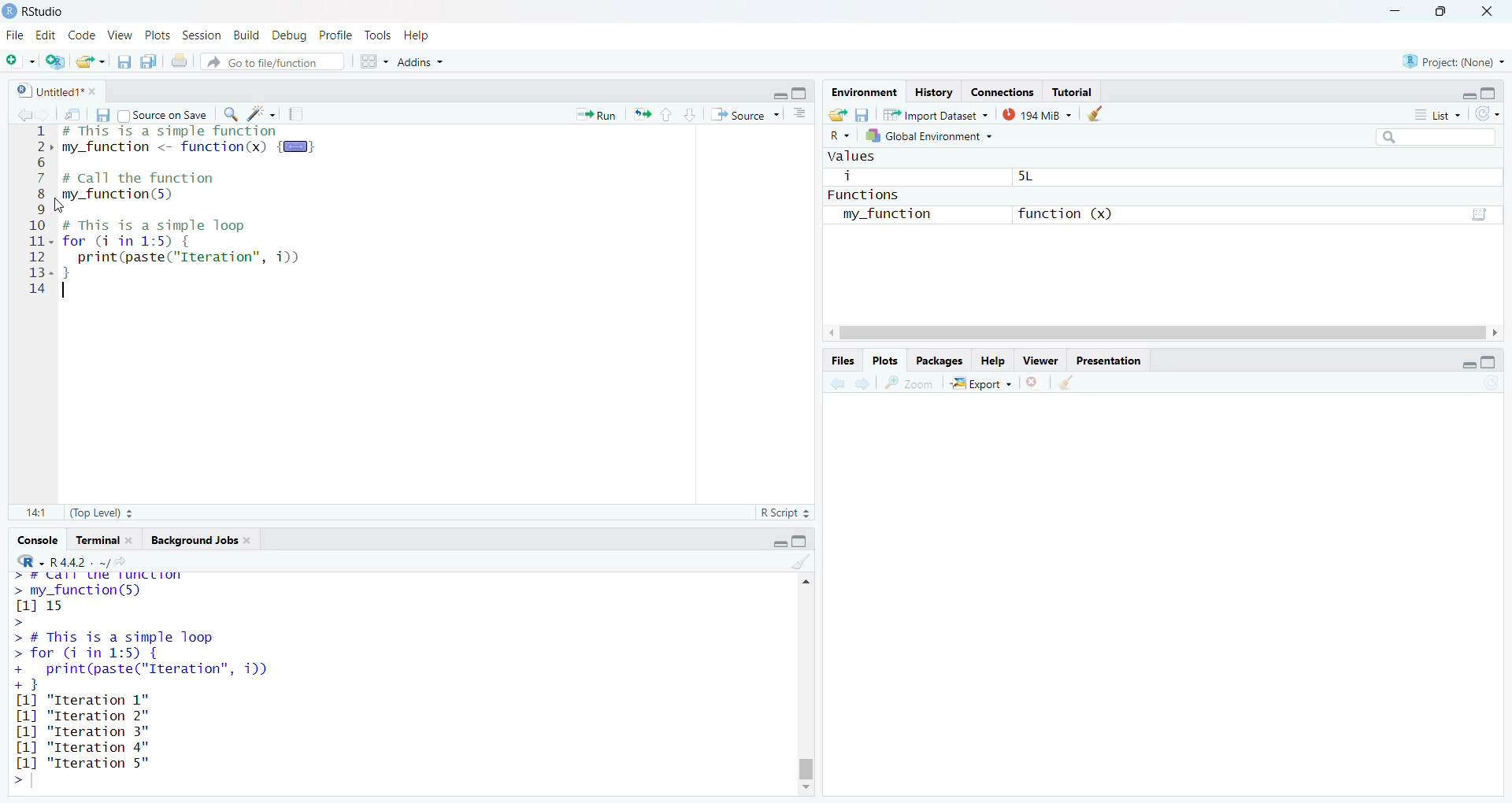 Image resolution: width=1512 pixels, height=803 pixels. What do you see at coordinates (380, 35) in the screenshot?
I see `tools` at bounding box center [380, 35].